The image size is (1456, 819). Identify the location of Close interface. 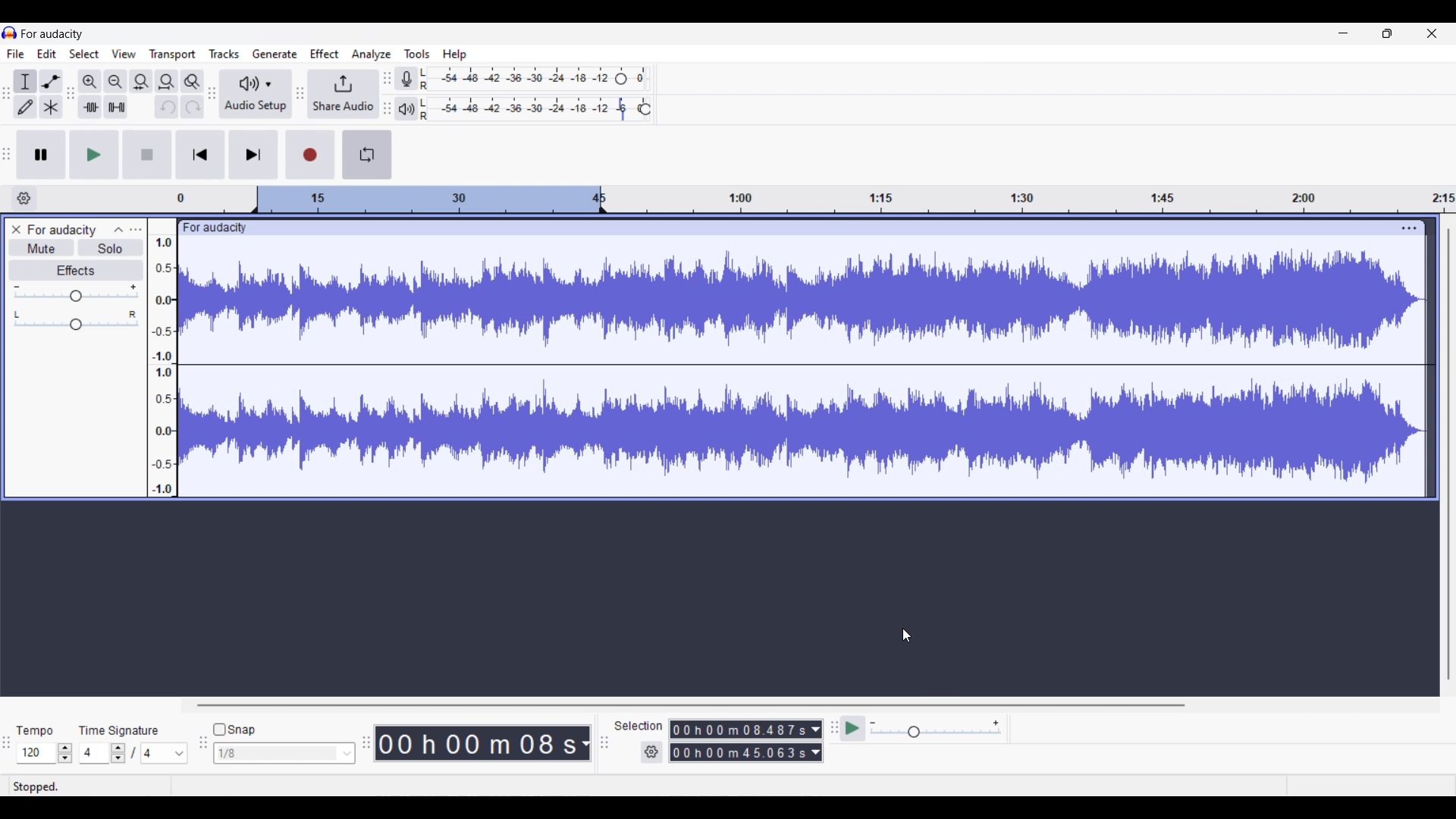
(1432, 33).